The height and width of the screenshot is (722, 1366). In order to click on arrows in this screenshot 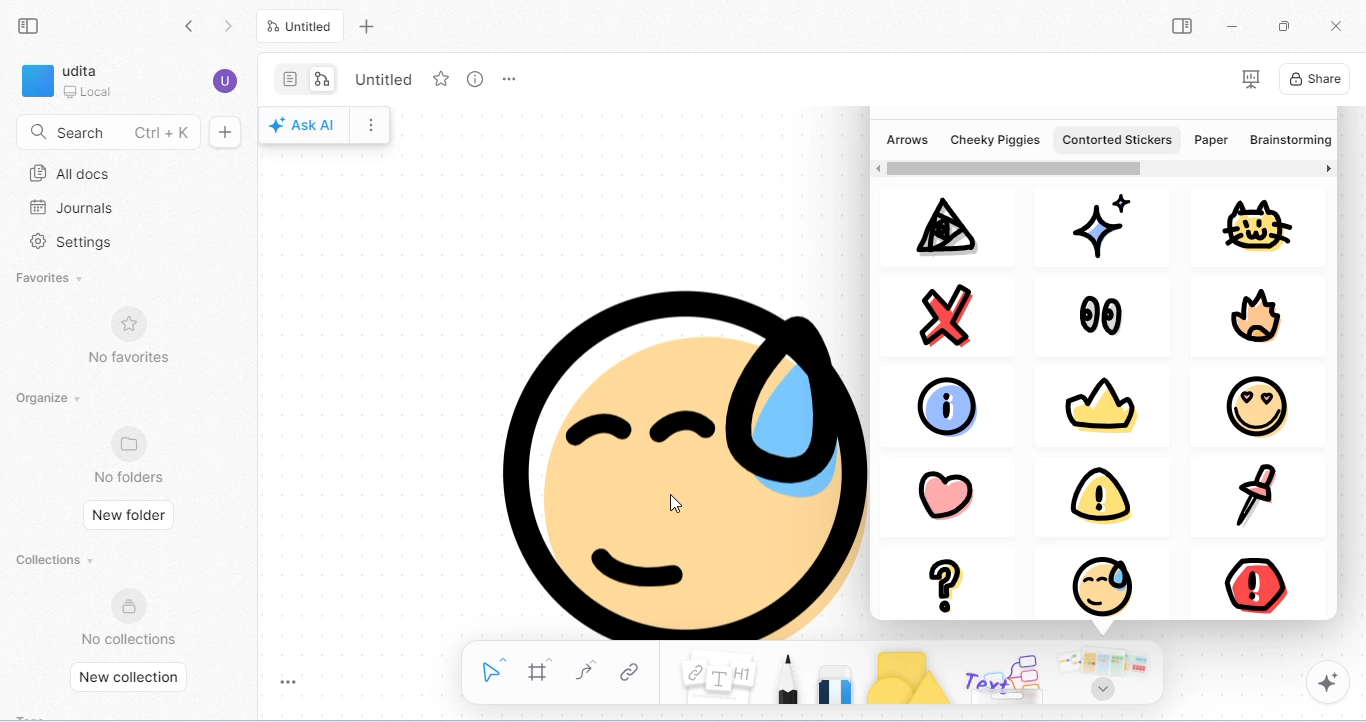, I will do `click(907, 139)`.